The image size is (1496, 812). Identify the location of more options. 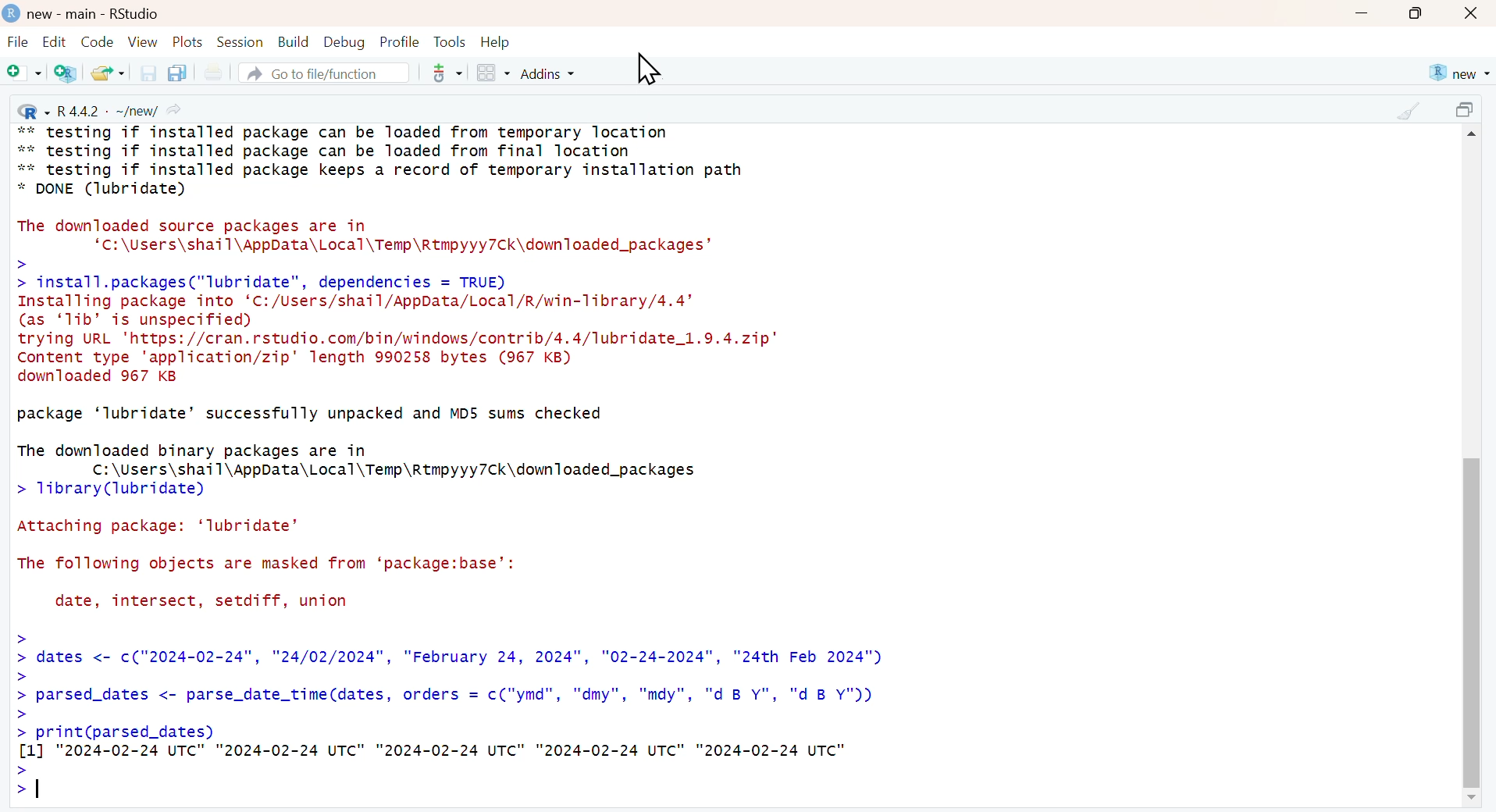
(442, 73).